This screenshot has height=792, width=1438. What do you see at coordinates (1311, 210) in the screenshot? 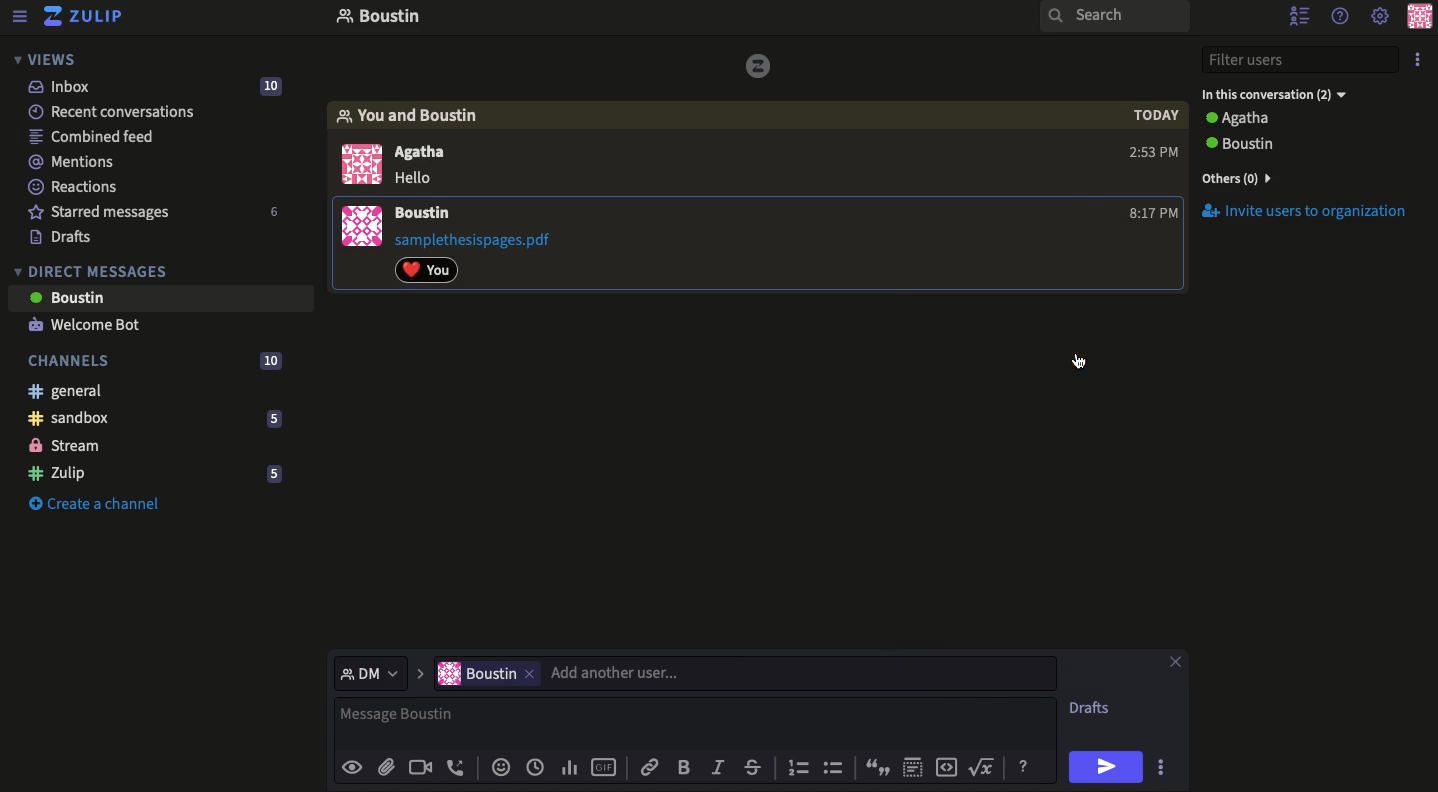
I see `Invite users to the organization` at bounding box center [1311, 210].